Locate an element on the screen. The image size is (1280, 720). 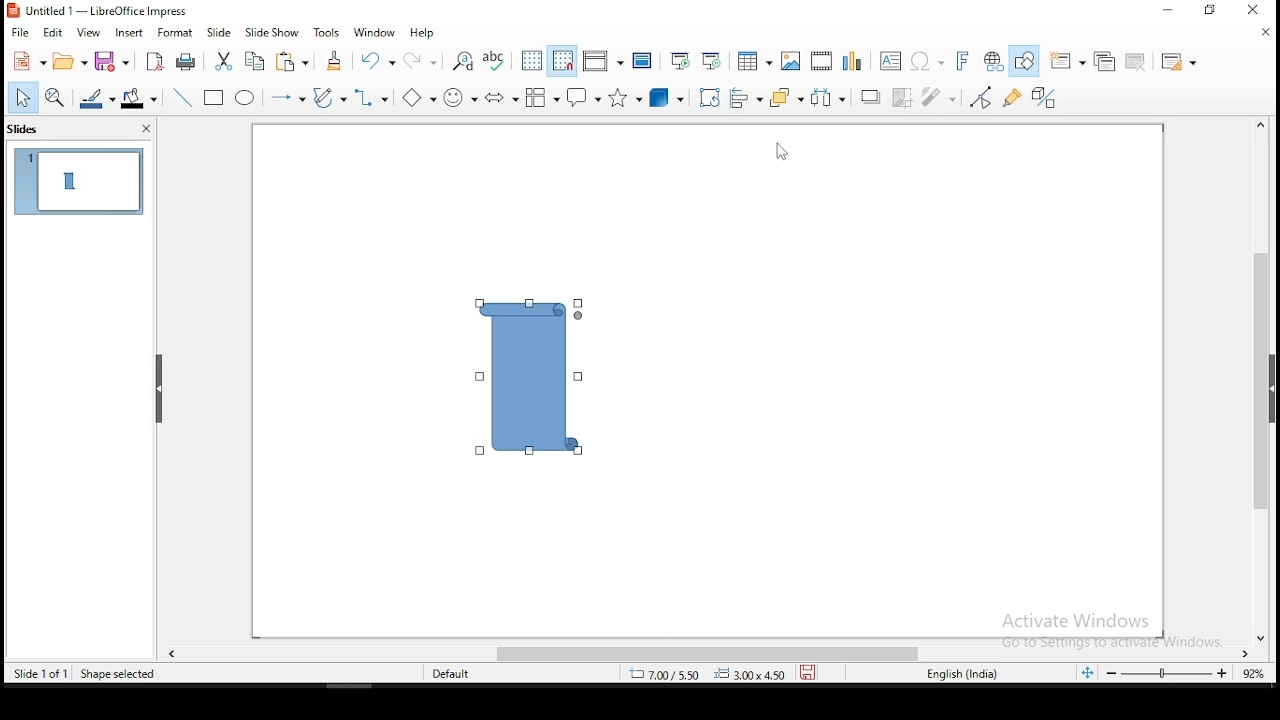
export as pdf is located at coordinates (154, 61).